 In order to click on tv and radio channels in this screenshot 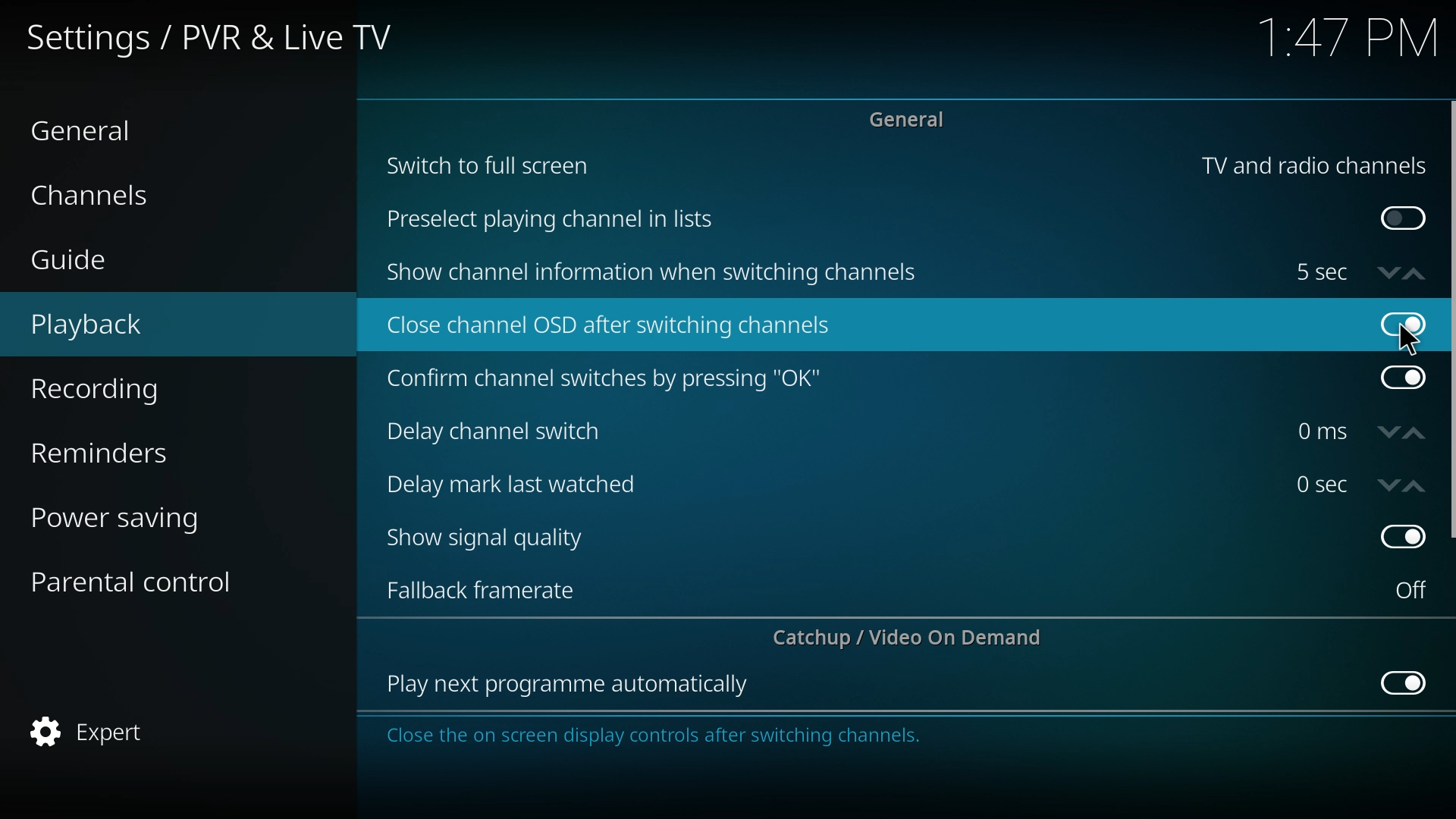, I will do `click(1313, 166)`.